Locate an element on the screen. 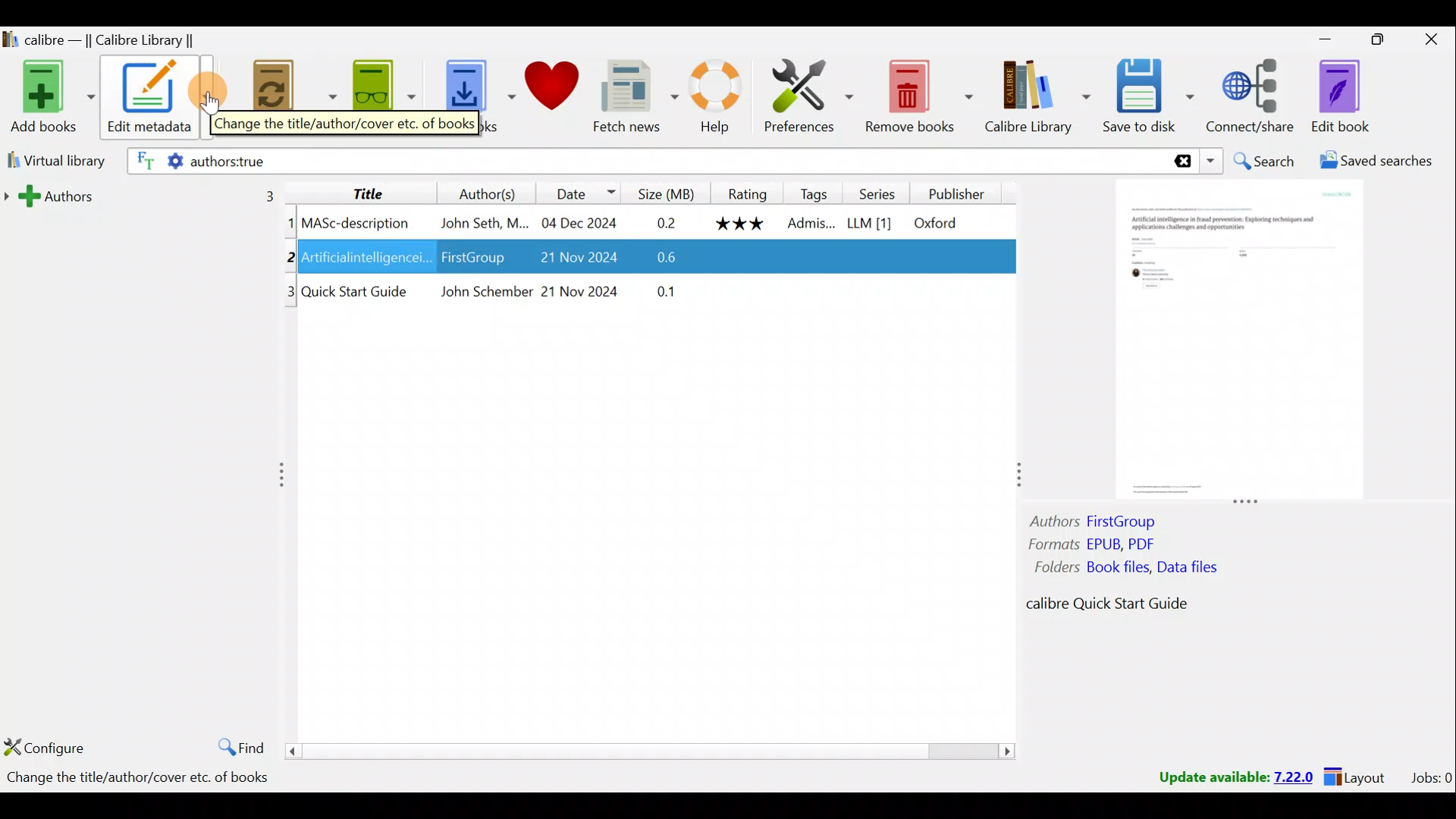  Configure is located at coordinates (45, 742).